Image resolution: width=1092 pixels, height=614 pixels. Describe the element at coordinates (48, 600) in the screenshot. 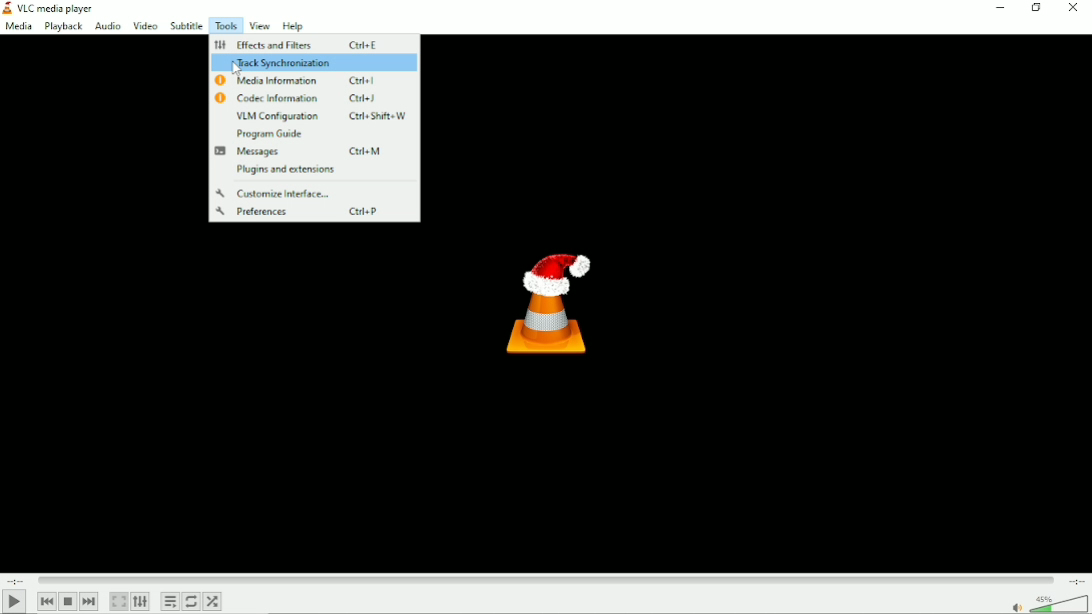

I see `Previous` at that location.